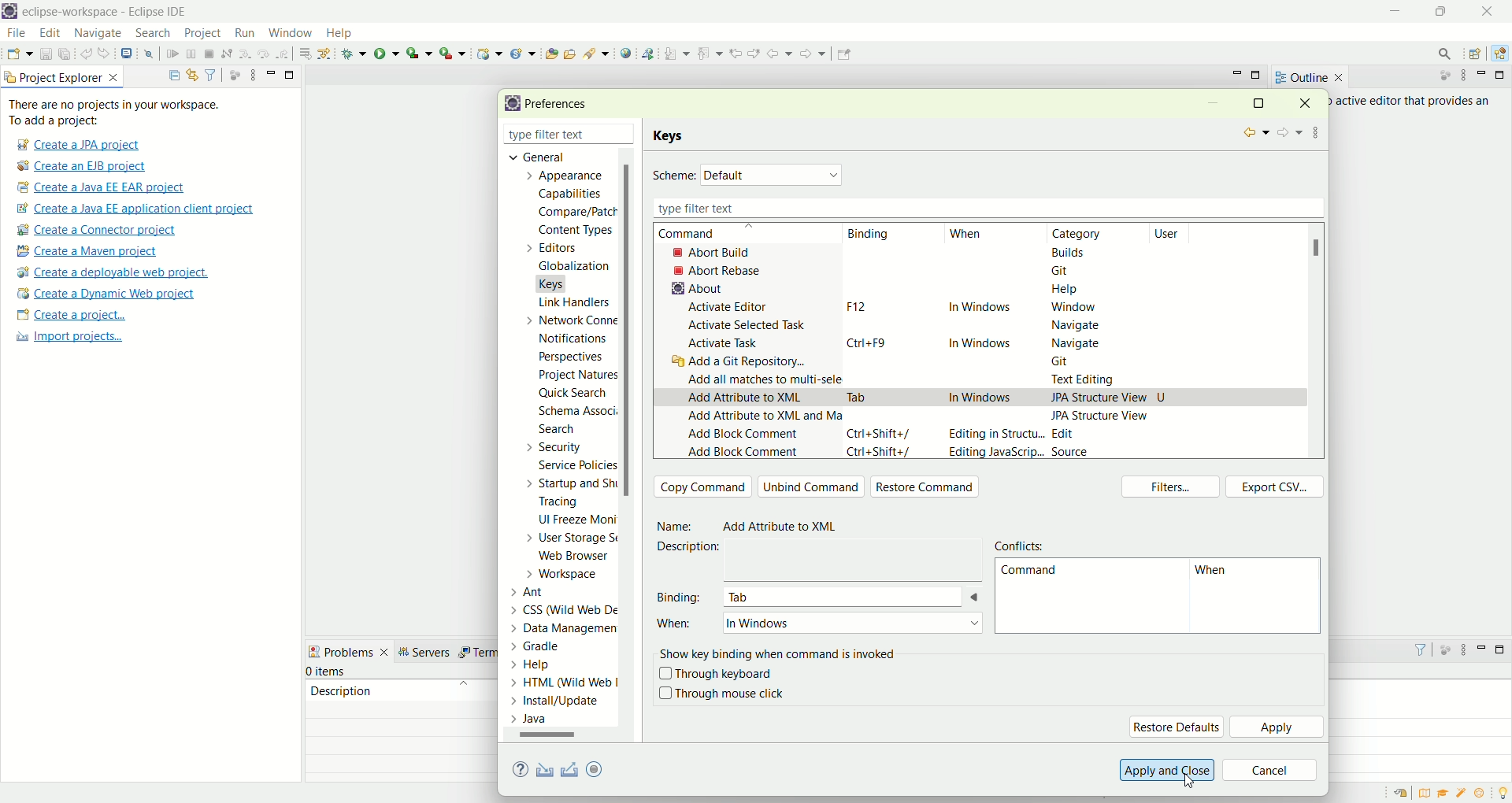 The image size is (1512, 803). I want to click on focus on active task, so click(1444, 649).